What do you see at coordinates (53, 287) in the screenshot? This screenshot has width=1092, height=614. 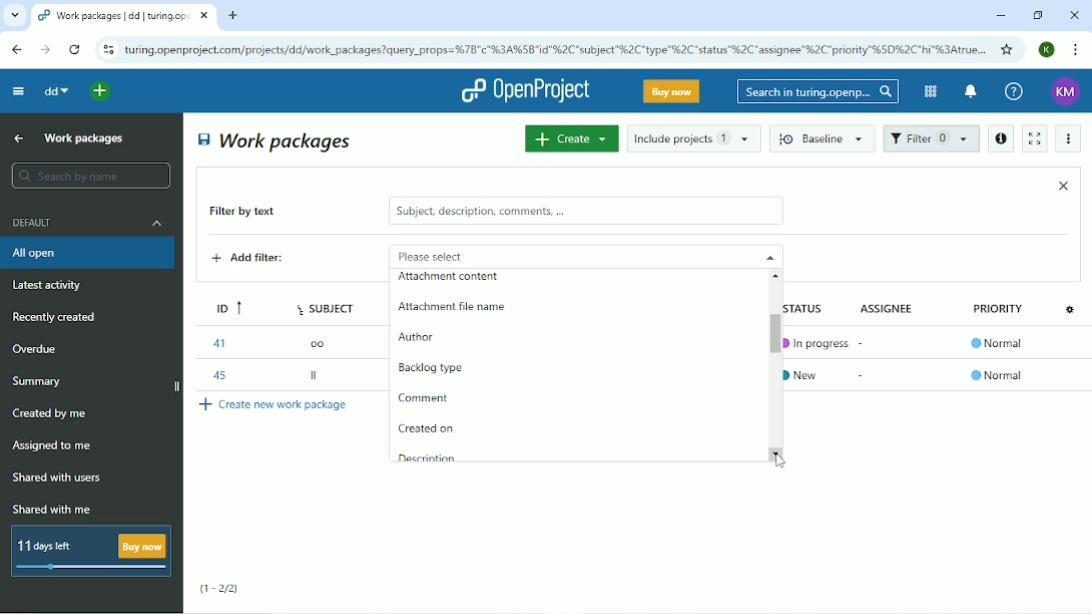 I see `Latest activity` at bounding box center [53, 287].